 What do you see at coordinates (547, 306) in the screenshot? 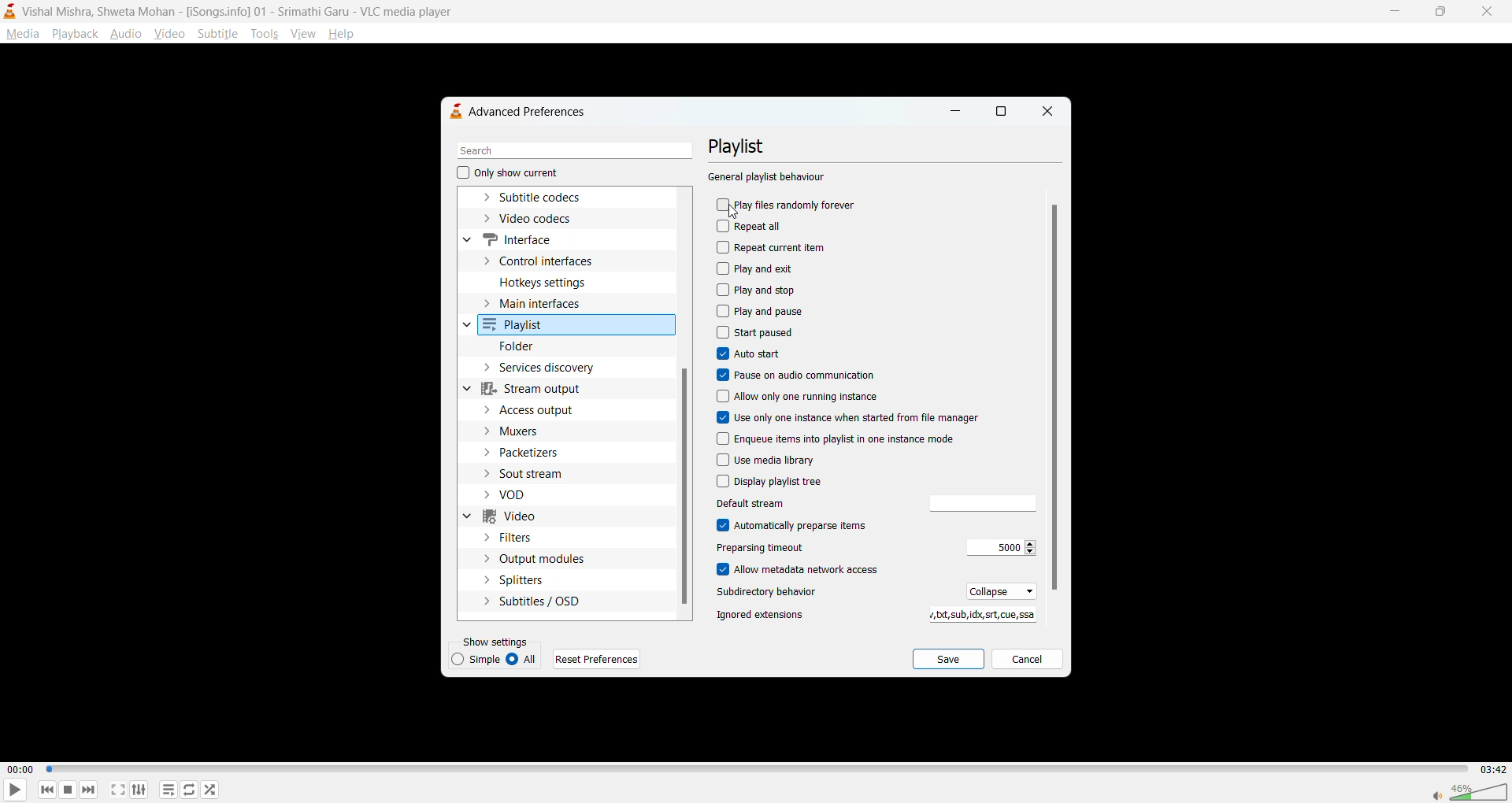
I see `main interfaces` at bounding box center [547, 306].